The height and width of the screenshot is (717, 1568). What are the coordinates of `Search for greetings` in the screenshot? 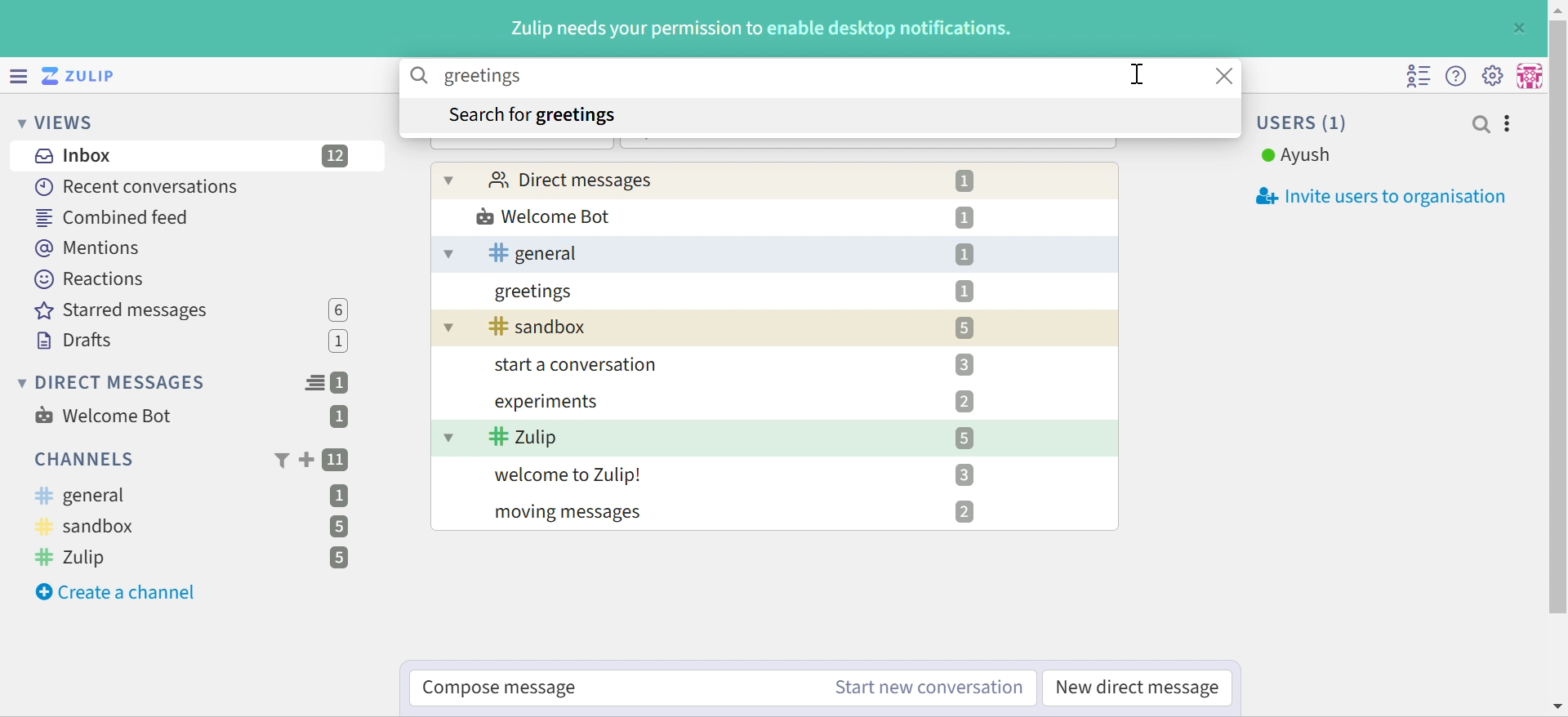 It's located at (532, 116).